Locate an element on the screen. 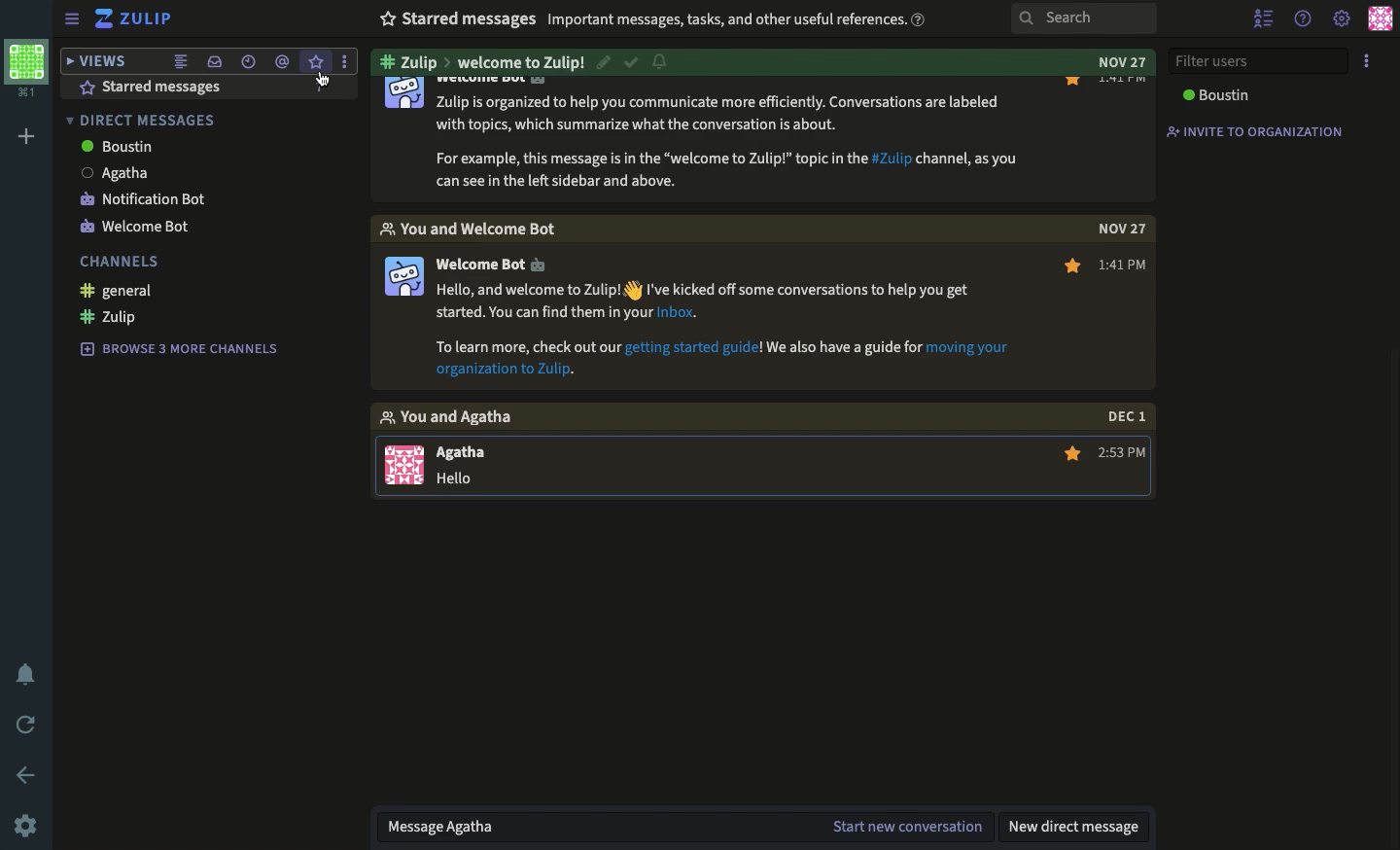  inbox is located at coordinates (215, 62).